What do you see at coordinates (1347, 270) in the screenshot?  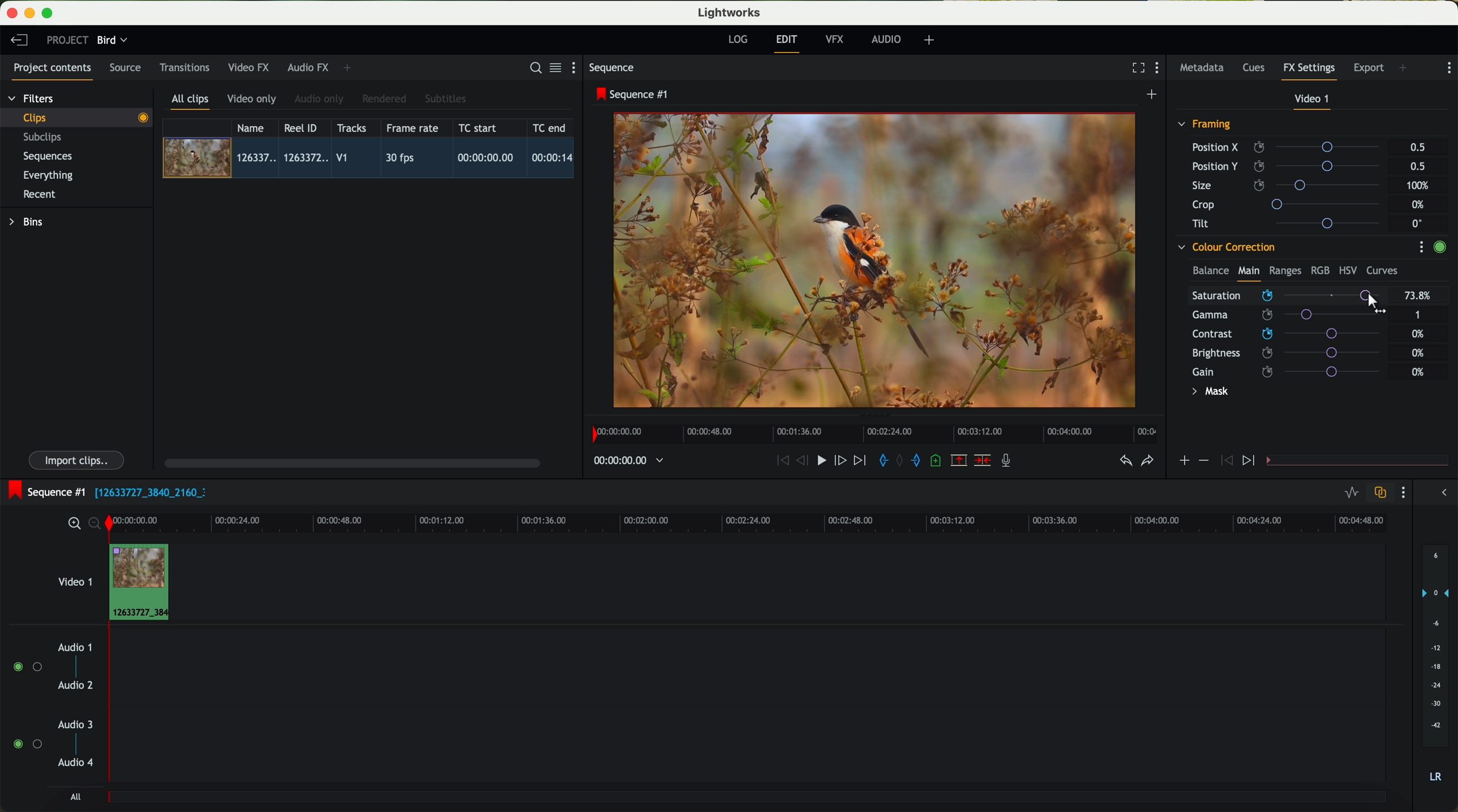 I see `HSV` at bounding box center [1347, 270].